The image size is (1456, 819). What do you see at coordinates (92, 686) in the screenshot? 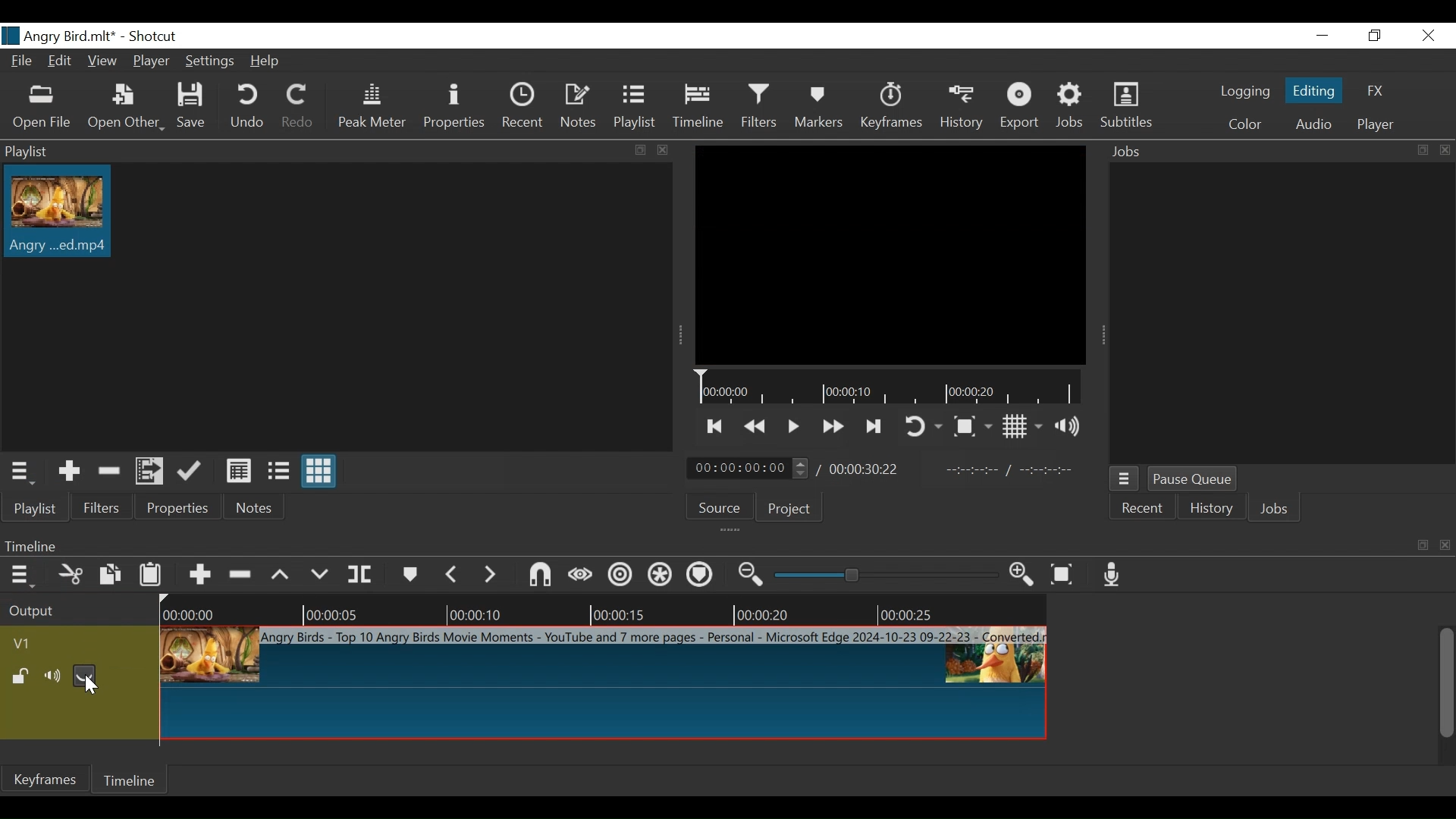
I see `Cursor` at bounding box center [92, 686].